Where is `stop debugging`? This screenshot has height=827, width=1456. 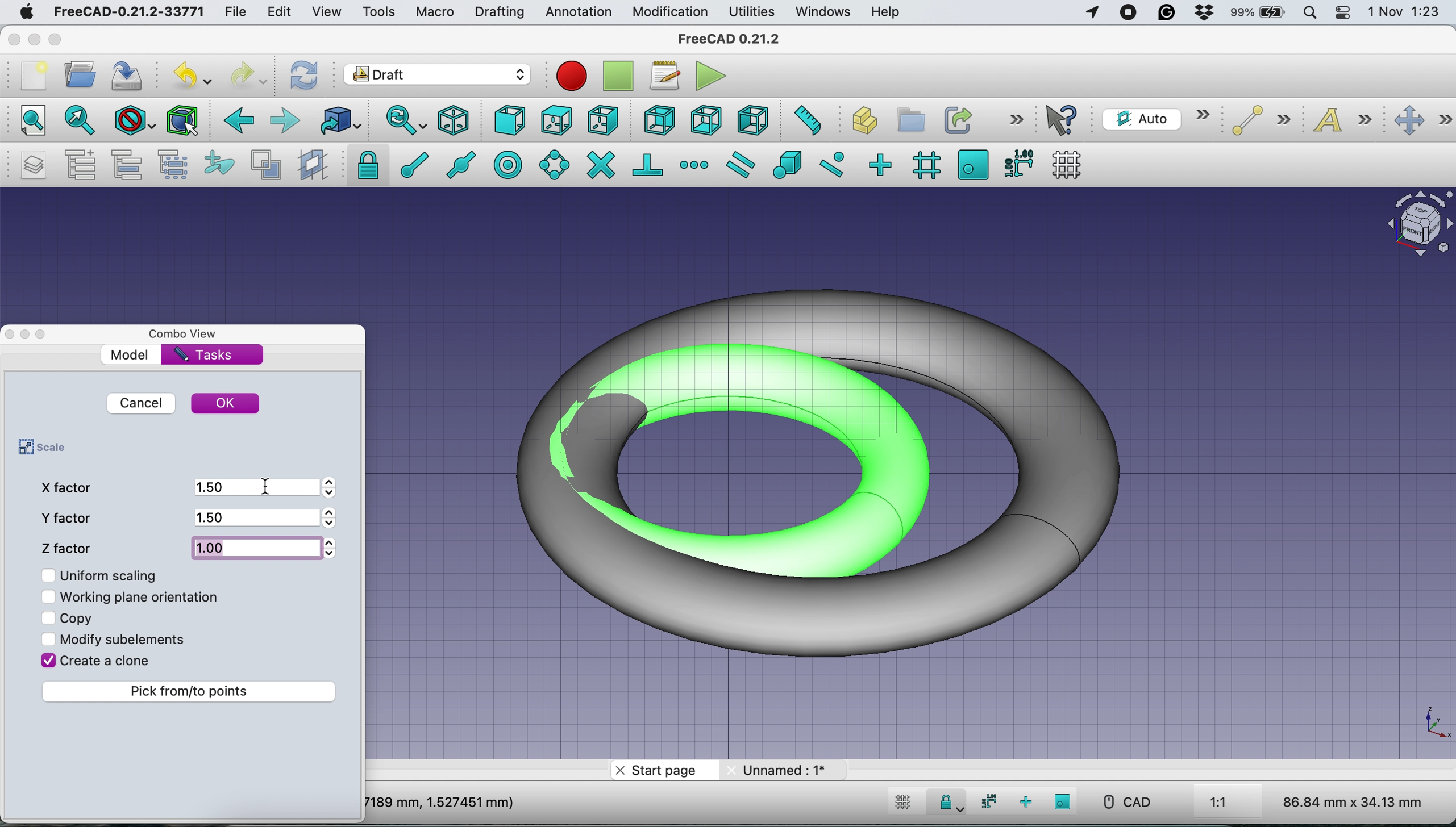 stop debugging is located at coordinates (615, 76).